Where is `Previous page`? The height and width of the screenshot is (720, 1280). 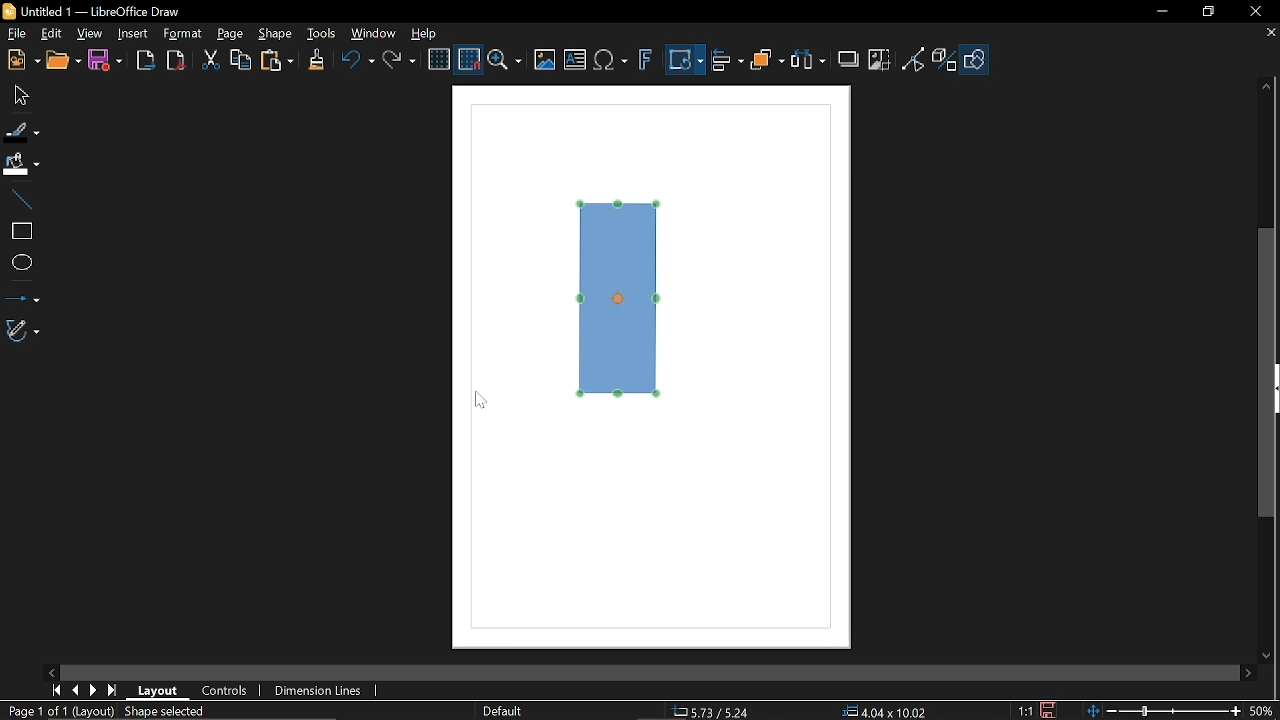
Previous page is located at coordinates (74, 691).